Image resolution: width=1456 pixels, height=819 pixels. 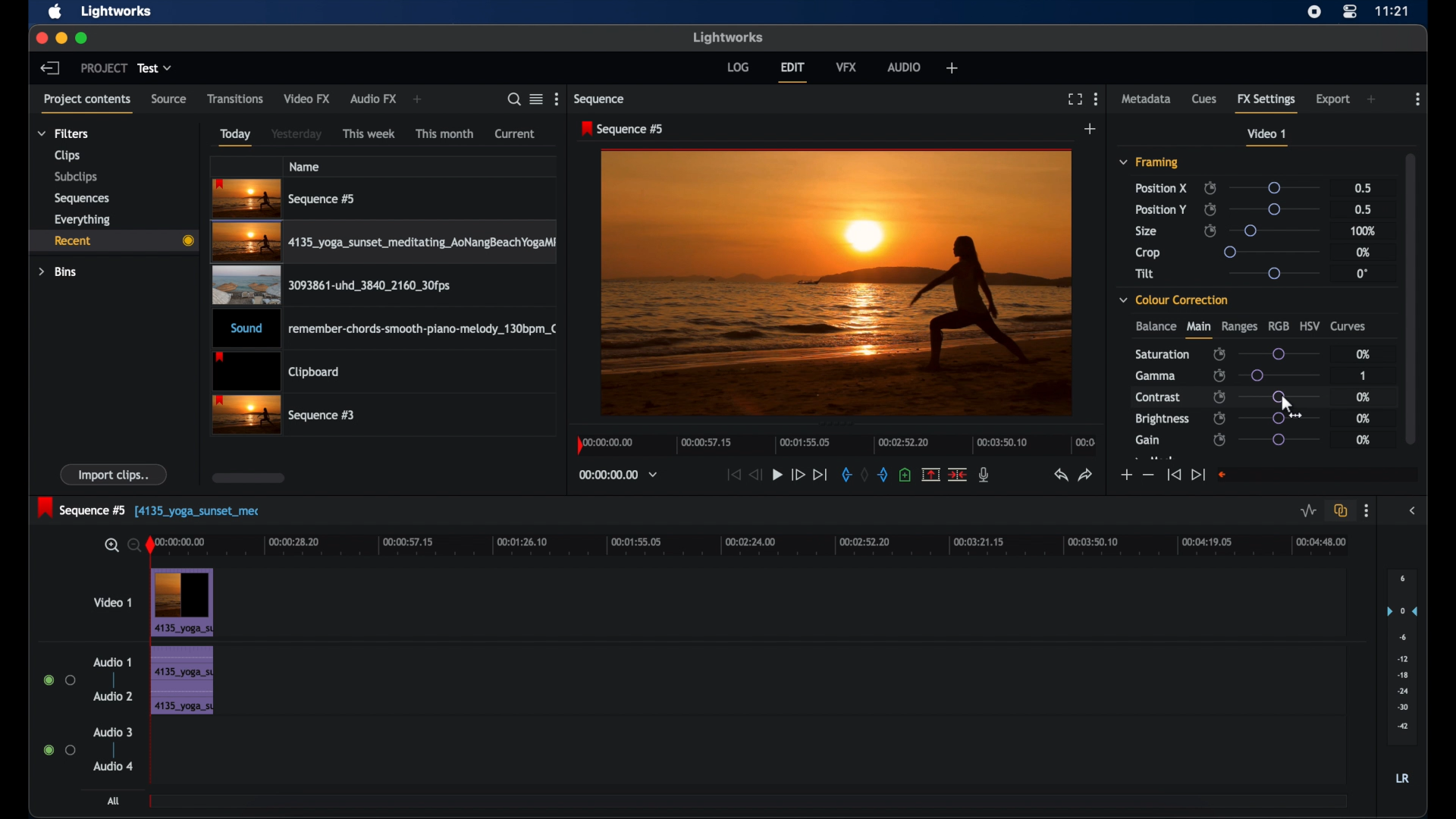 I want to click on fx settings, so click(x=1266, y=101).